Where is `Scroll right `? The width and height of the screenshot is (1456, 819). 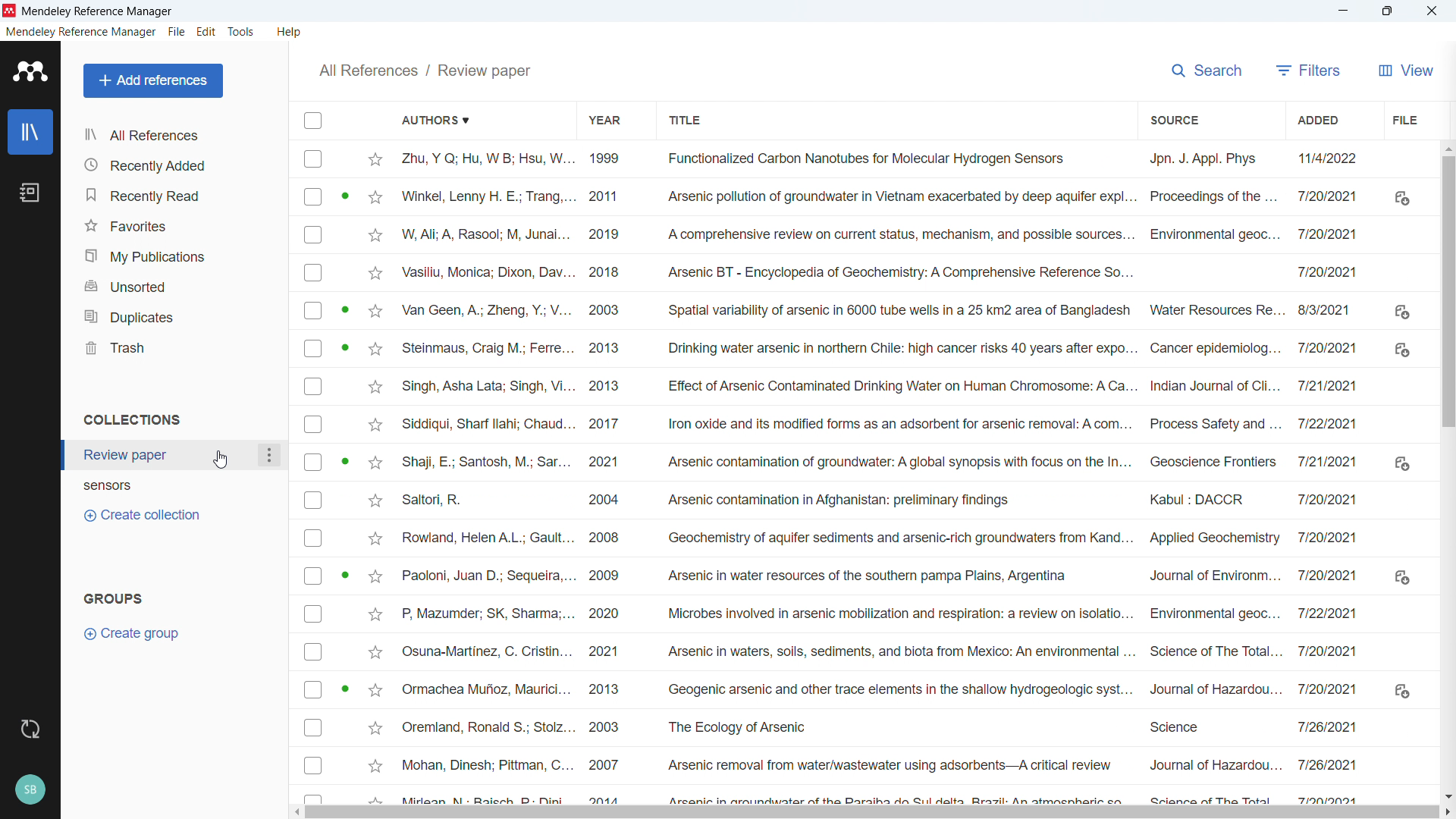 Scroll right  is located at coordinates (1447, 813).